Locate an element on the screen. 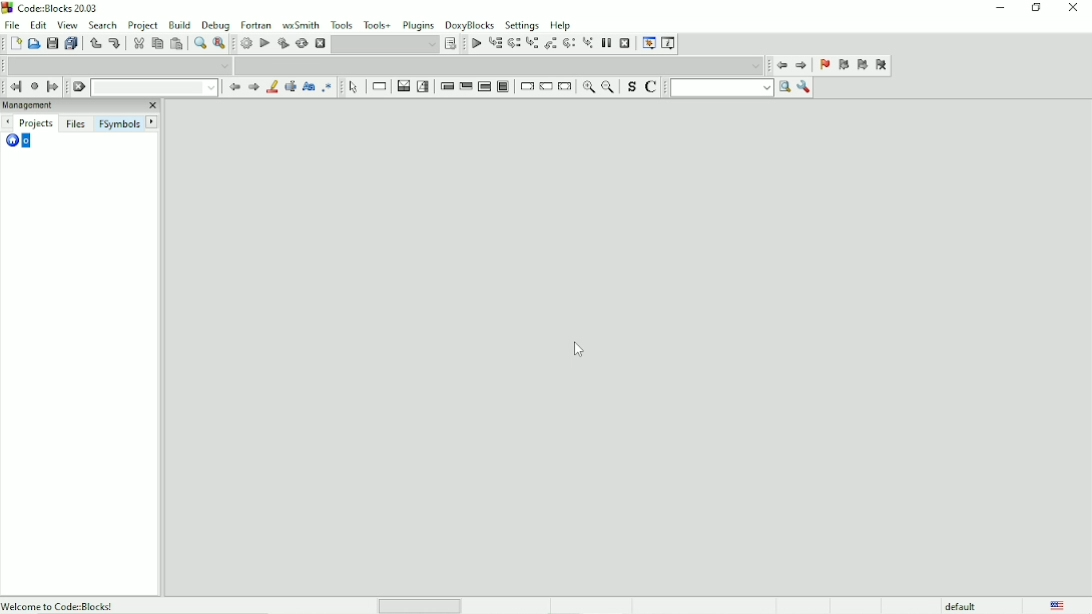 This screenshot has height=614, width=1092. File is located at coordinates (12, 24).